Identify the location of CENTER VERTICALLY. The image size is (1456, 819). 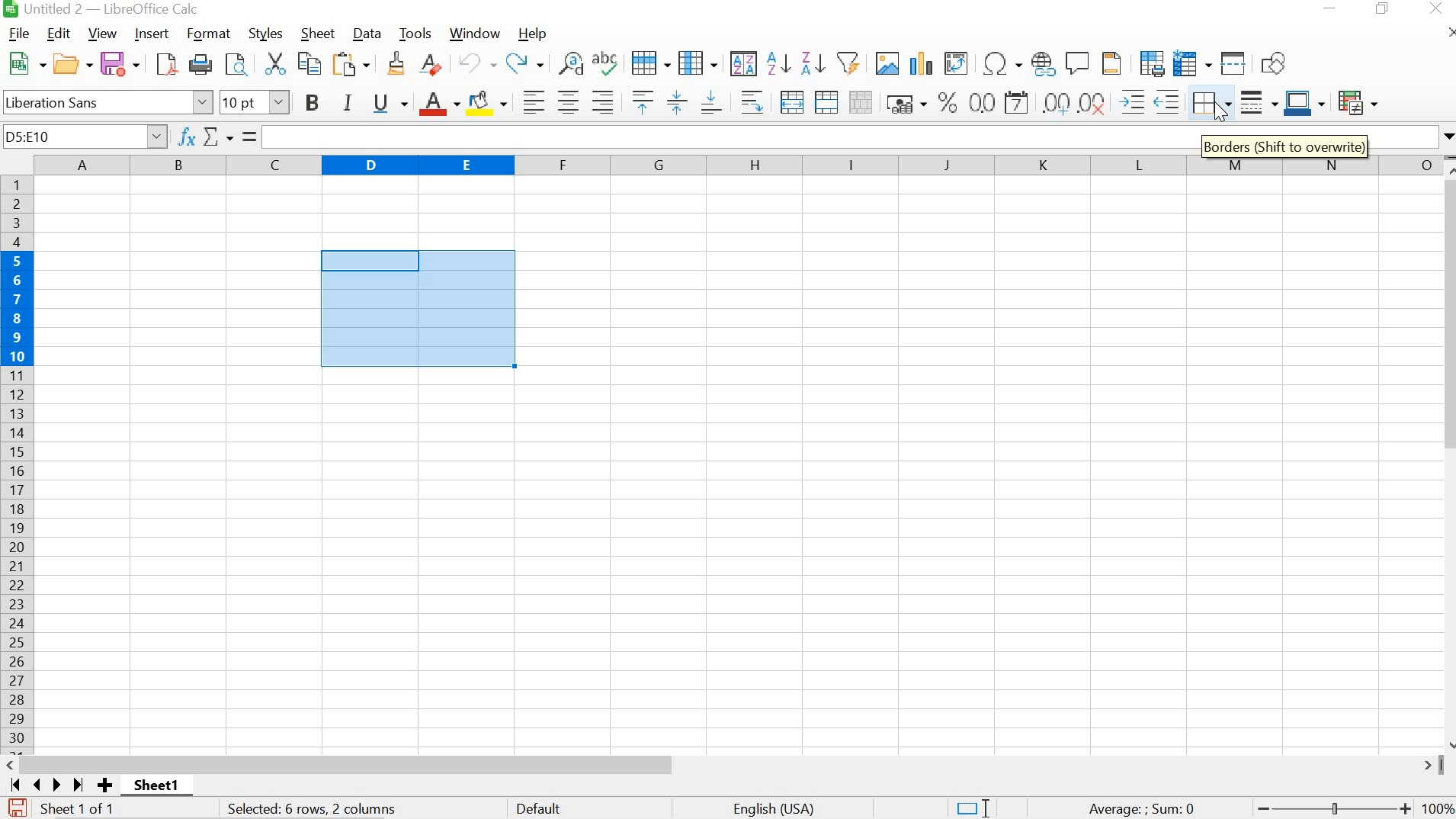
(676, 101).